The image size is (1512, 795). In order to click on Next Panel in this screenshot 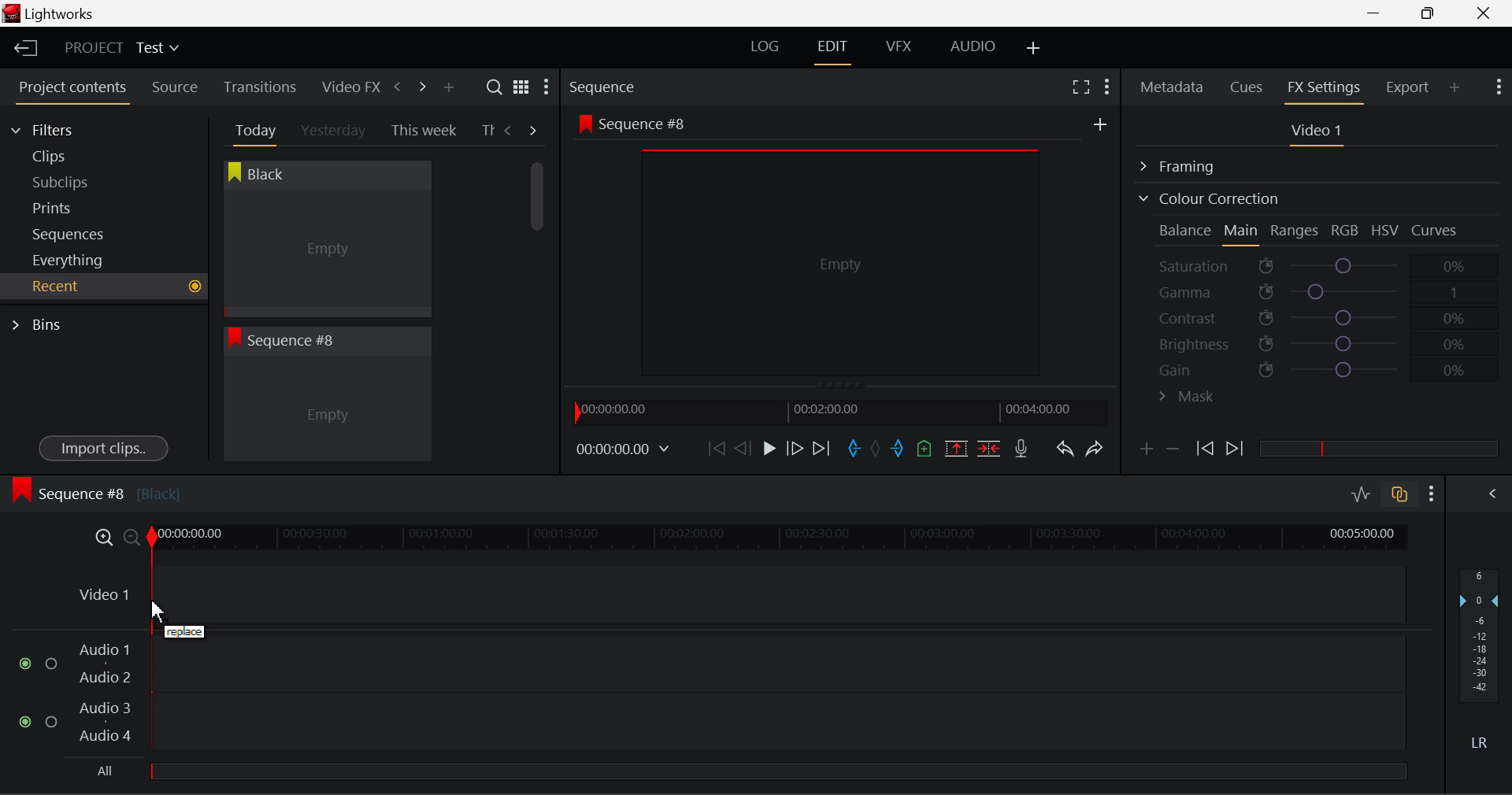, I will do `click(420, 86)`.